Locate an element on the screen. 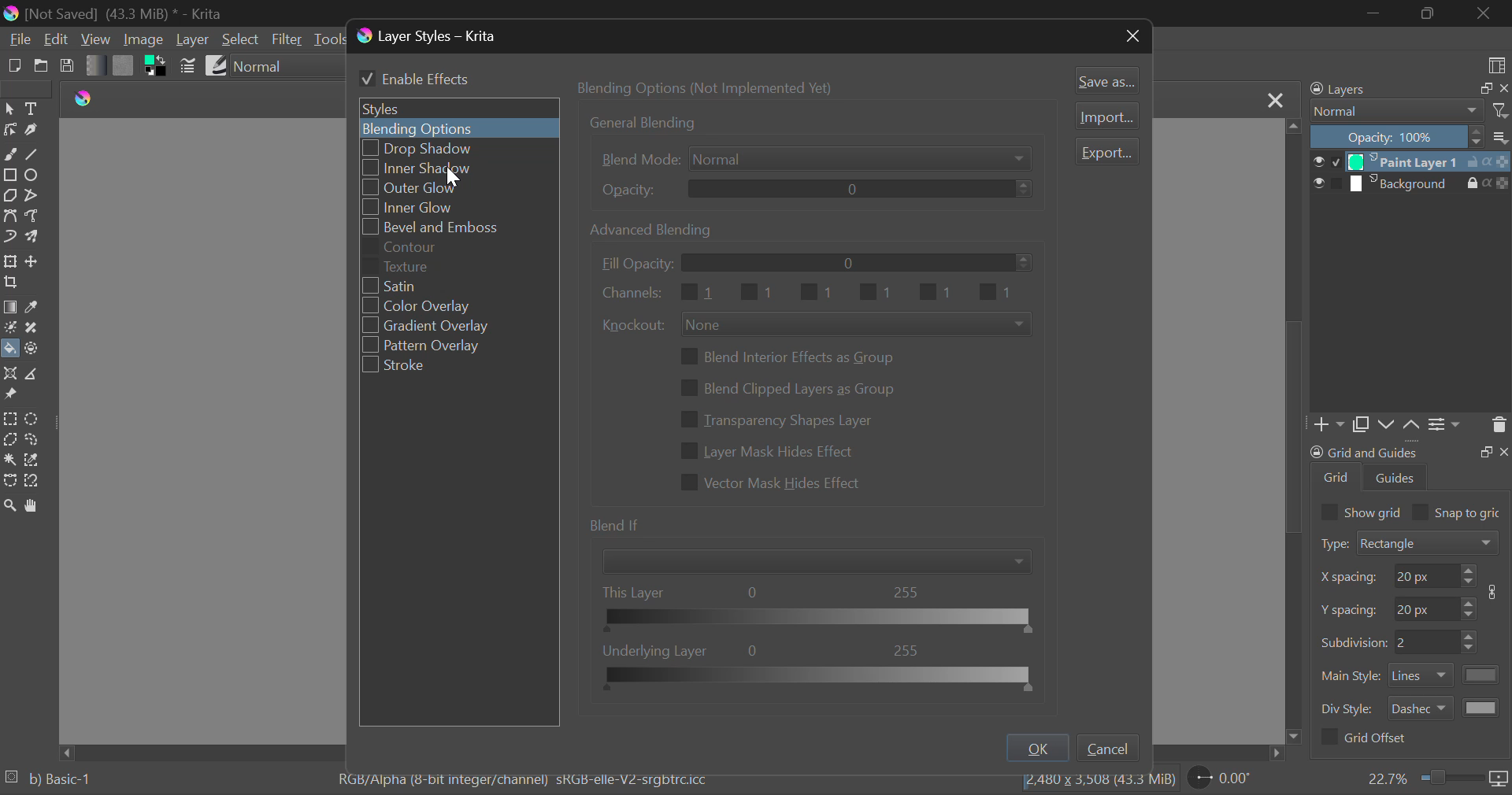 Image resolution: width=1512 pixels, height=795 pixels. Outer Glow is located at coordinates (454, 189).